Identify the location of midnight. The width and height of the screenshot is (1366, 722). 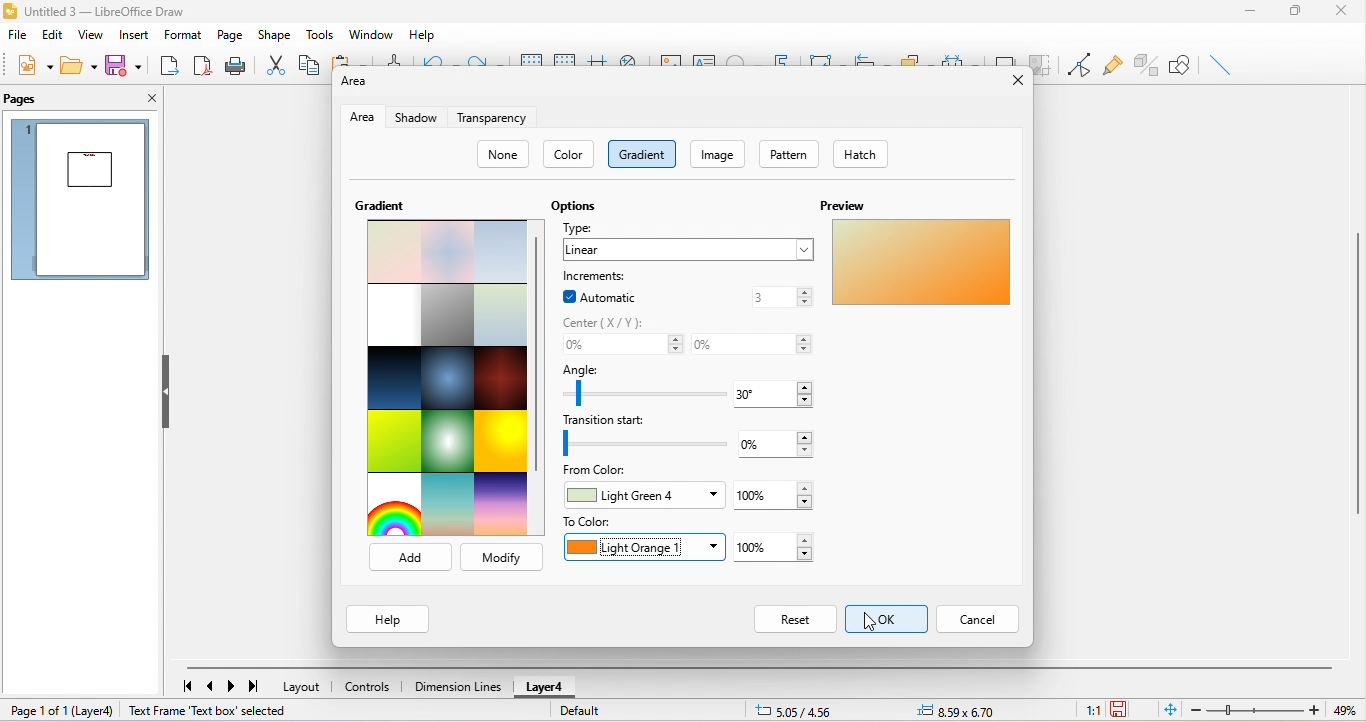
(393, 381).